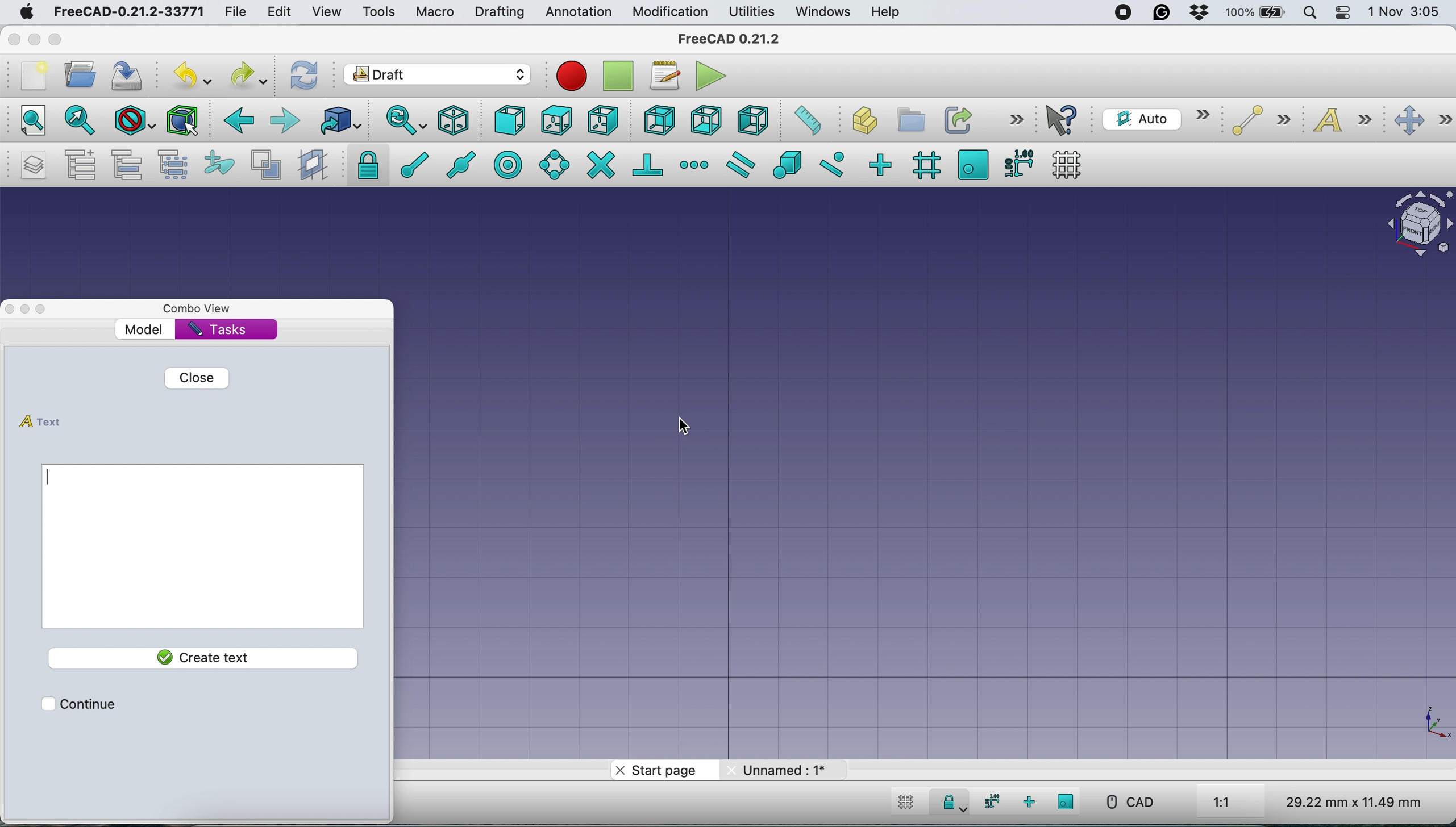 The width and height of the screenshot is (1456, 827). Describe the element at coordinates (265, 164) in the screenshot. I see `toggle normal wireframe display` at that location.